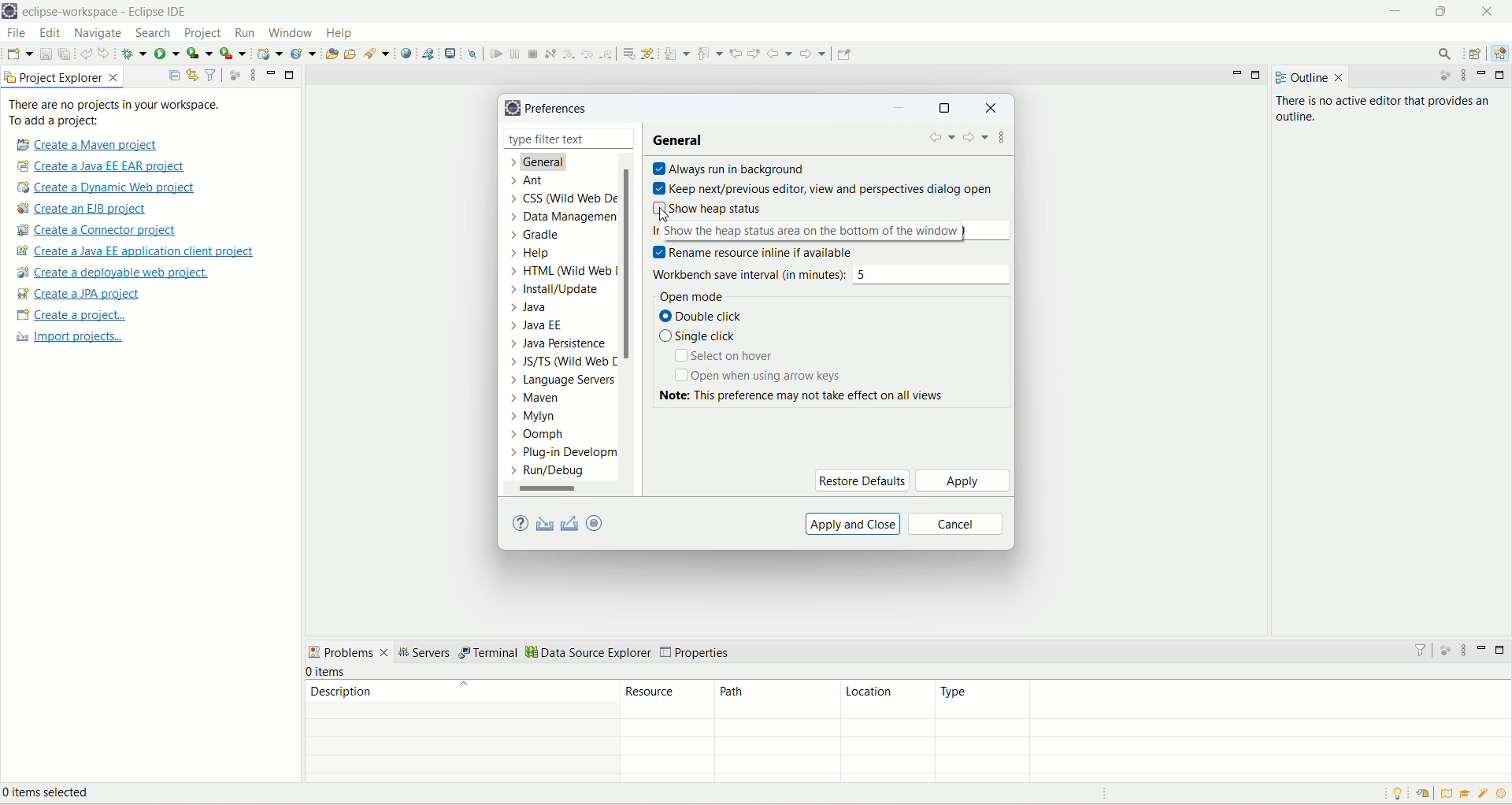 This screenshot has width=1512, height=805. Describe the element at coordinates (199, 52) in the screenshot. I see `coverage` at that location.